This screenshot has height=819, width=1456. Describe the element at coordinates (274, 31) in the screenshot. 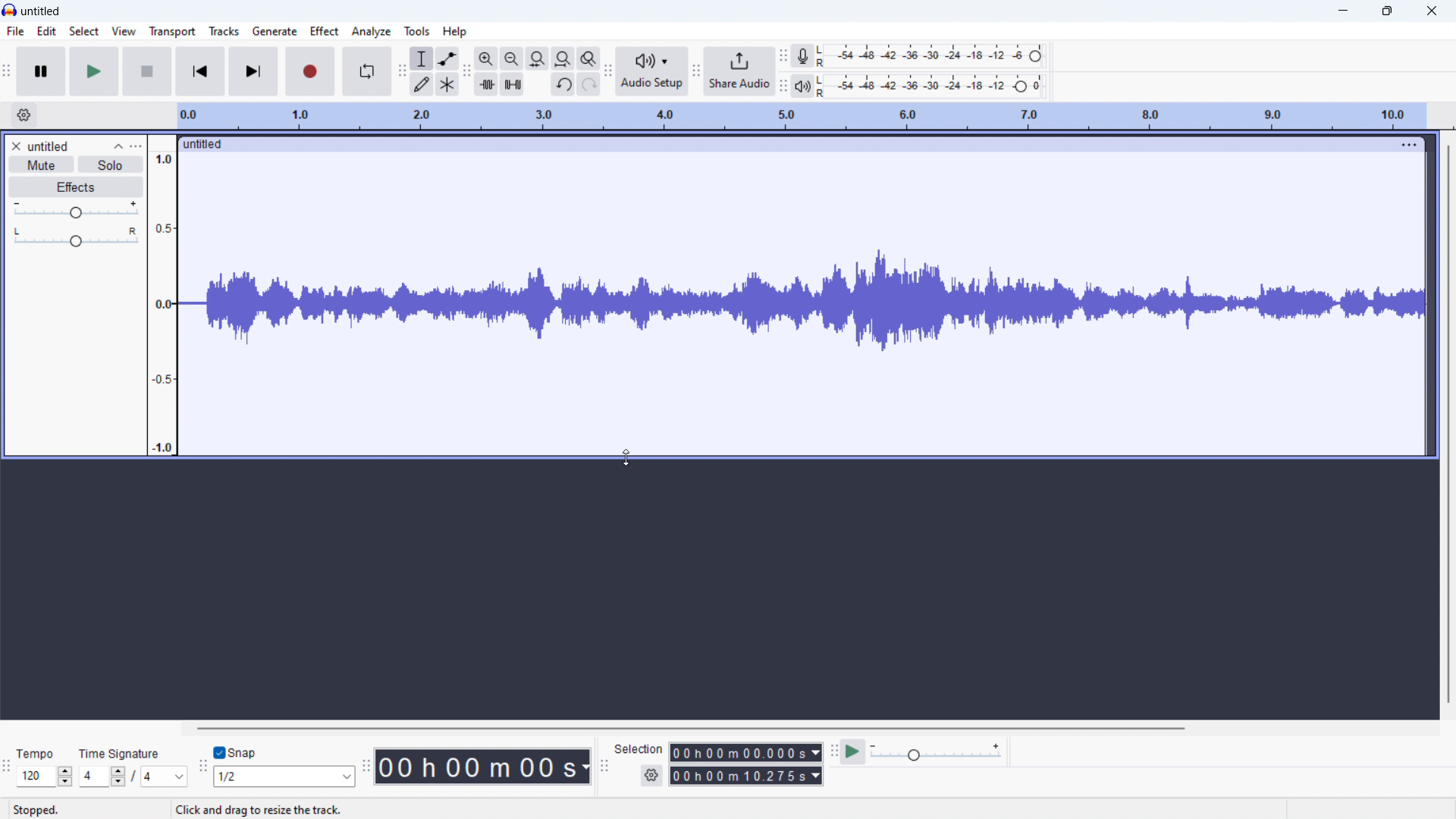

I see `generate` at that location.